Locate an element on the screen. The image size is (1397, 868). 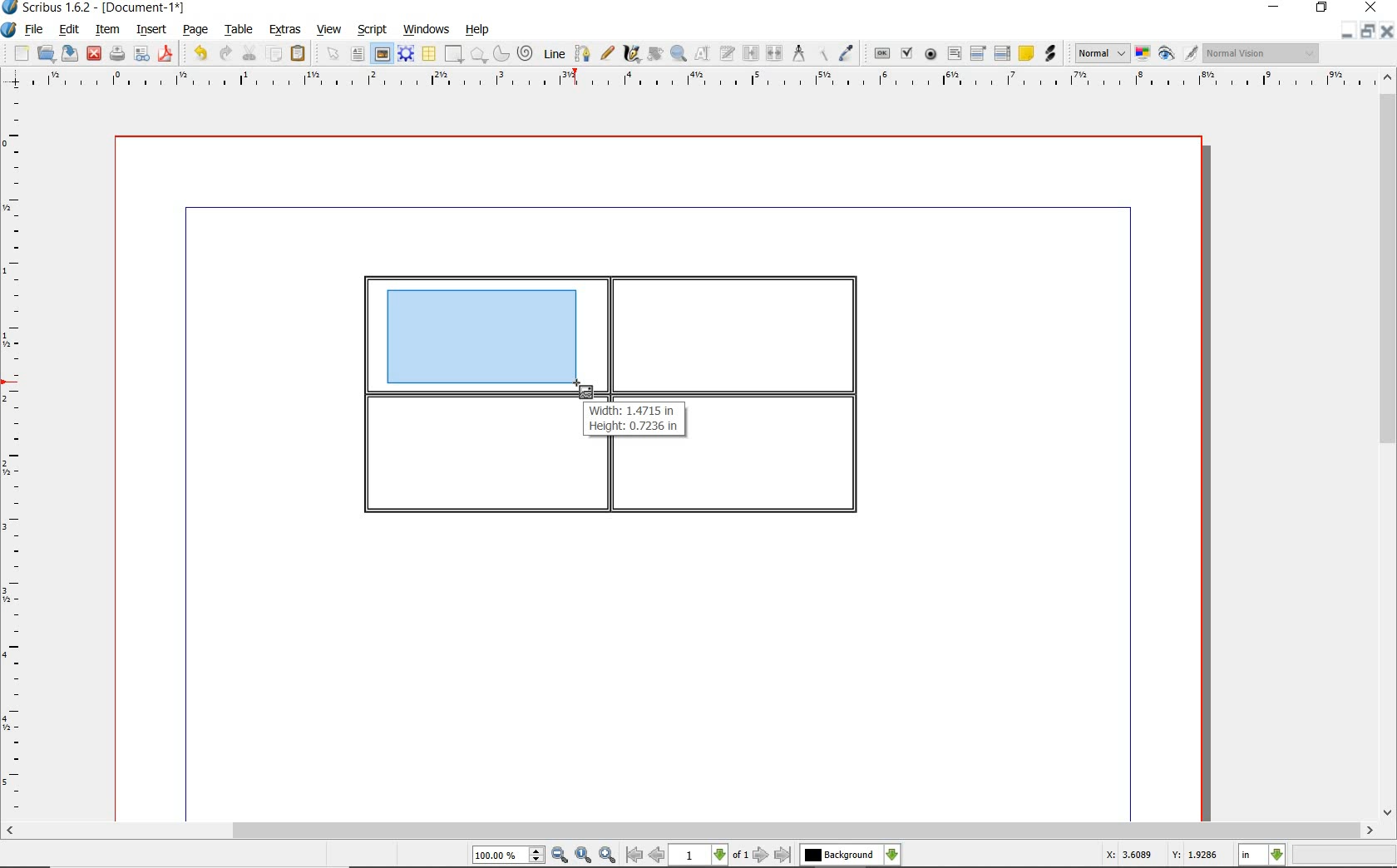
go to next page is located at coordinates (761, 855).